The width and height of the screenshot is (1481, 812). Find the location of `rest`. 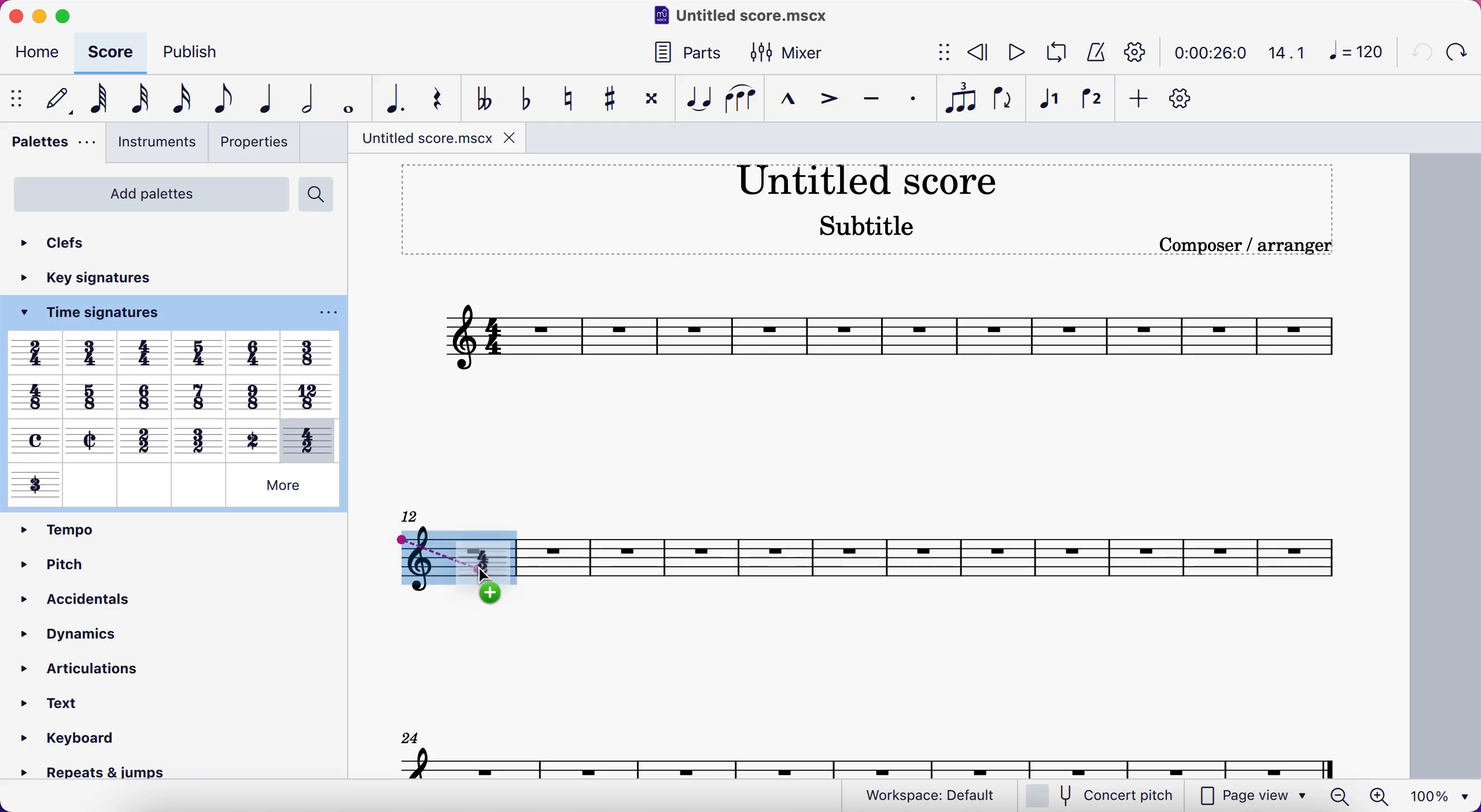

rest is located at coordinates (437, 98).